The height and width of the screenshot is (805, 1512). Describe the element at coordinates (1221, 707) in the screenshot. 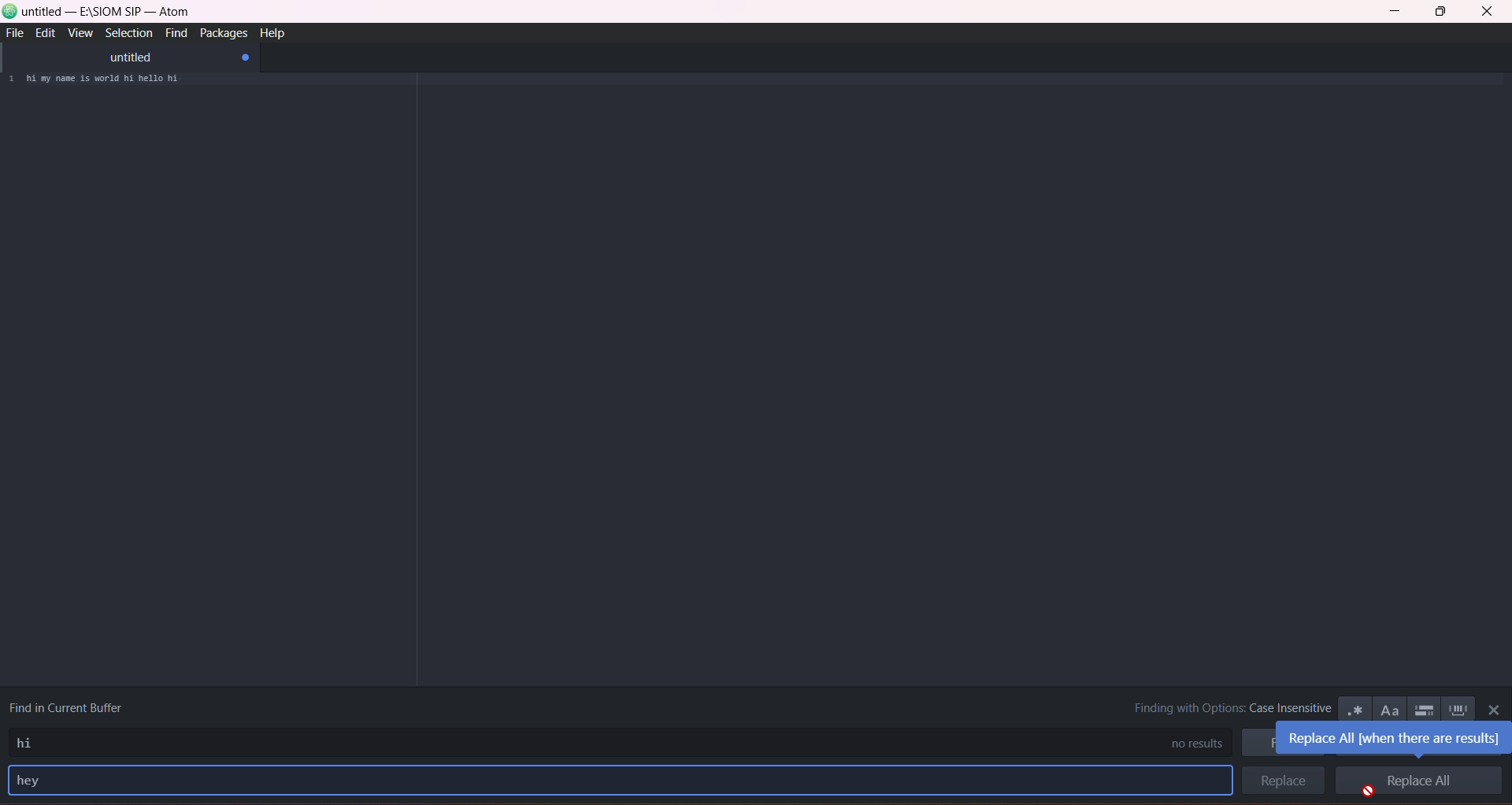

I see `finding with options : case insensitive` at that location.